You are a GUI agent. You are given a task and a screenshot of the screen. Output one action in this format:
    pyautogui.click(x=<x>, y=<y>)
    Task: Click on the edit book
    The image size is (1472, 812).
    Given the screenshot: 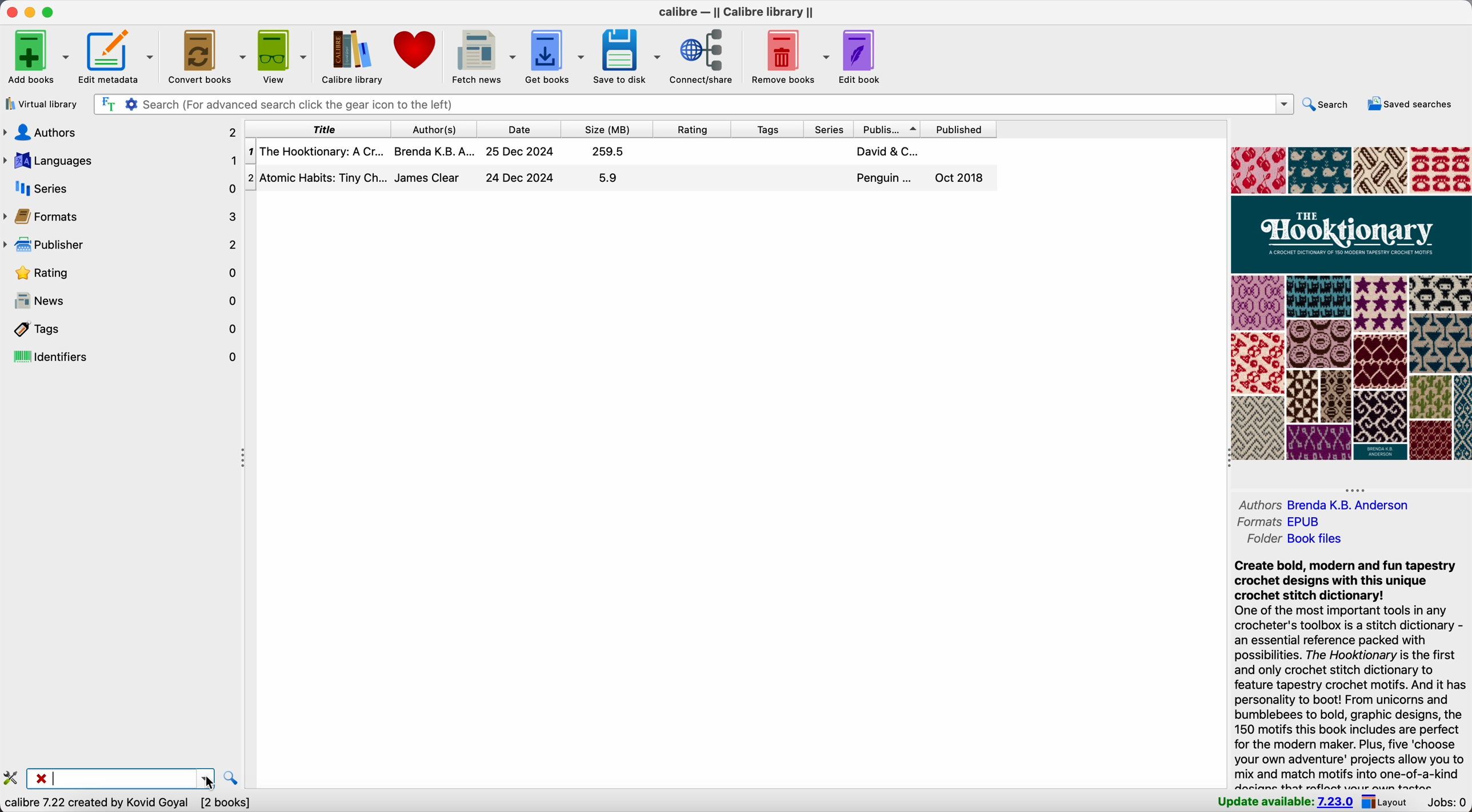 What is the action you would take?
    pyautogui.click(x=865, y=57)
    